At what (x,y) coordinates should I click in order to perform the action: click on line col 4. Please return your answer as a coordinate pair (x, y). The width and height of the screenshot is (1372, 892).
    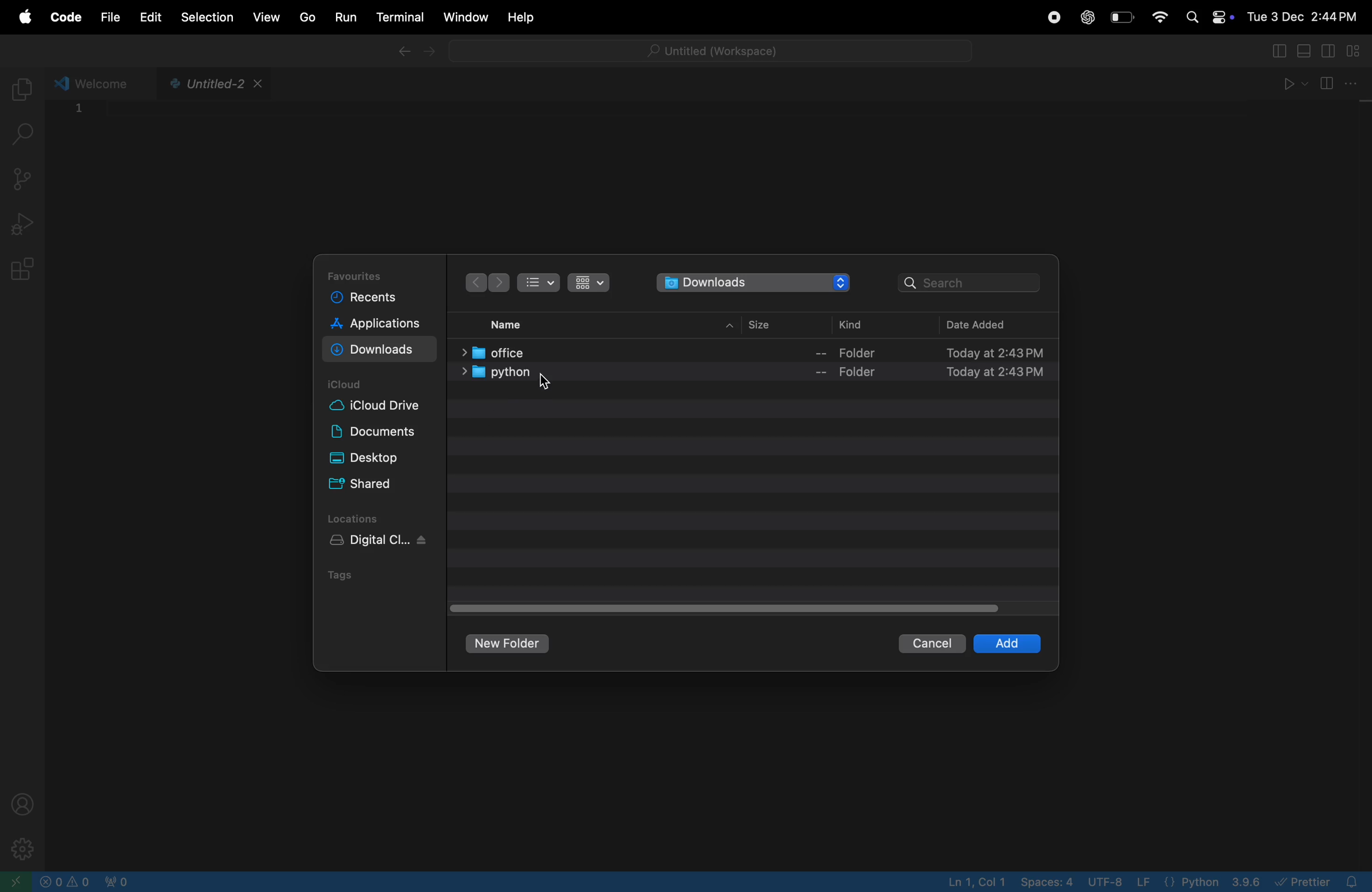
    Looking at the image, I should click on (979, 882).